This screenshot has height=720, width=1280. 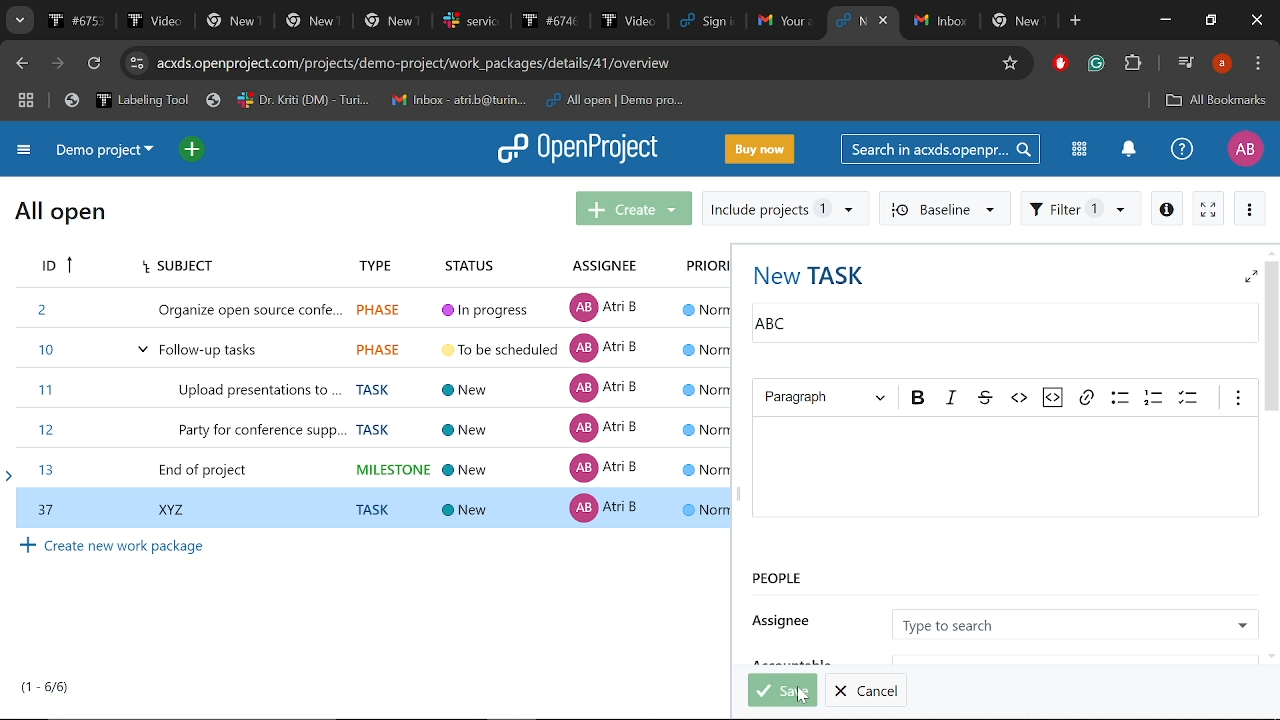 I want to click on Insert code snippet, so click(x=1054, y=398).